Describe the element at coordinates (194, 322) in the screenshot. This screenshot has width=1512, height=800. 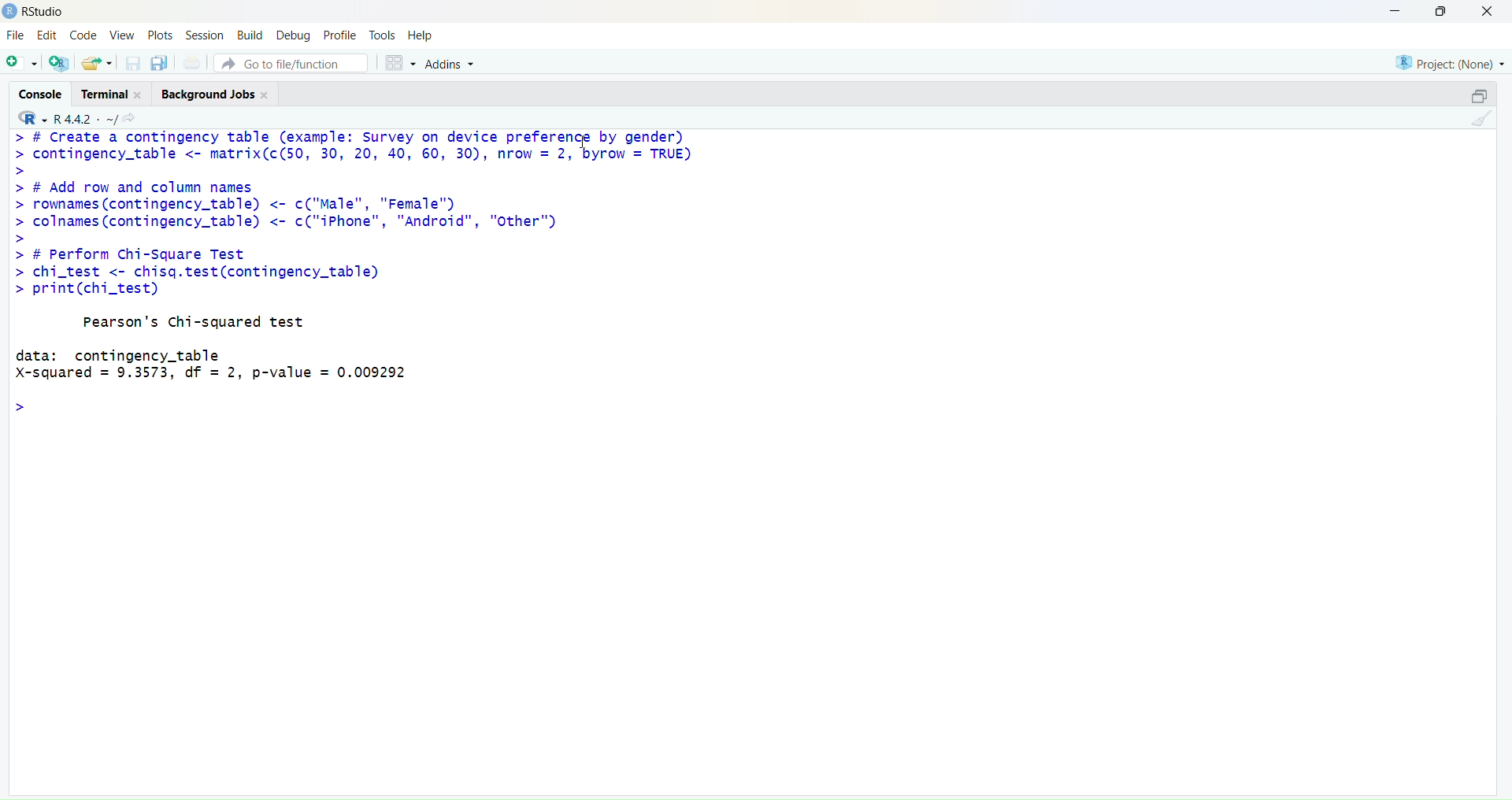
I see `Pearson's Chi-squared test` at that location.